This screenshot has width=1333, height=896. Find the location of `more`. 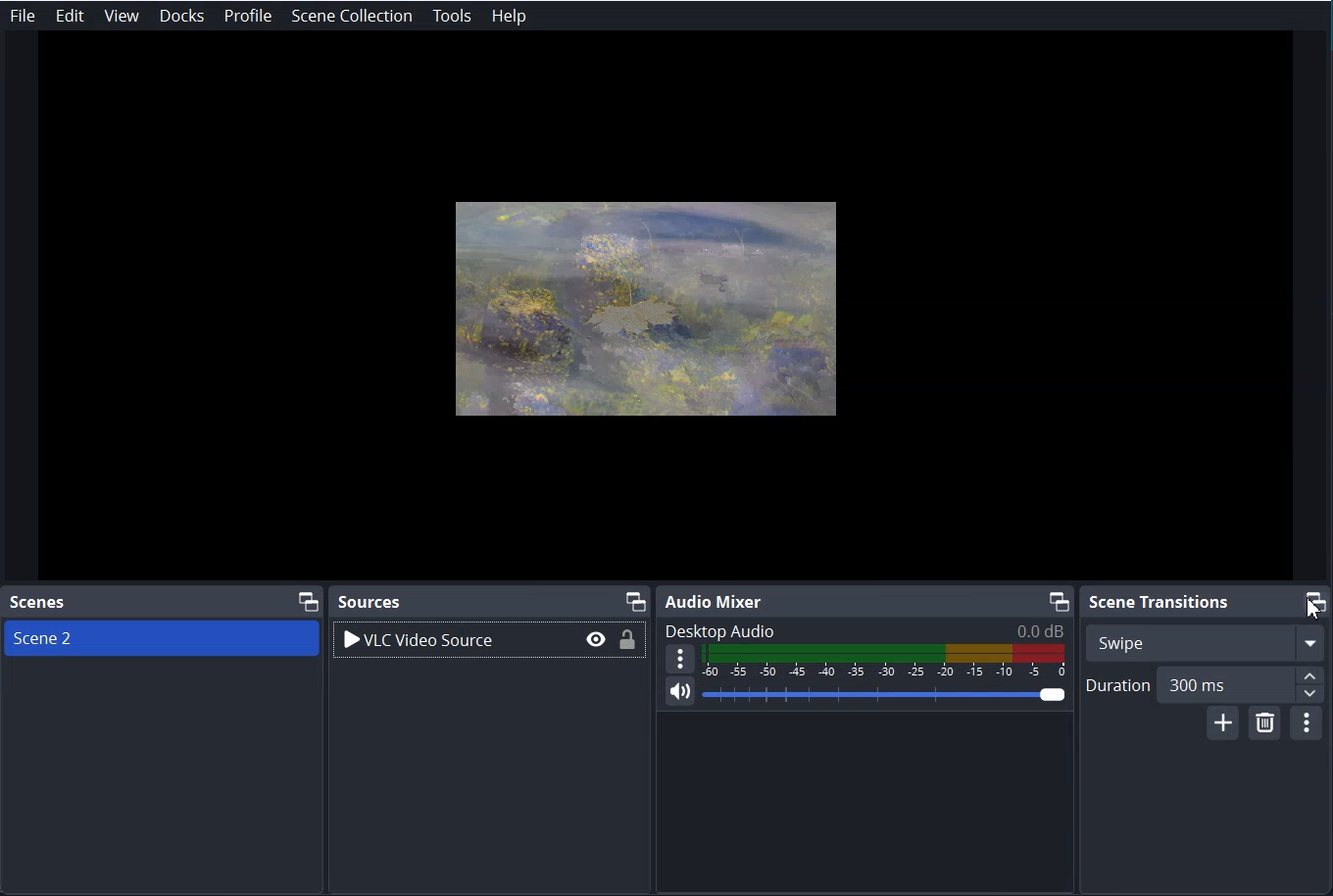

more is located at coordinates (681, 659).